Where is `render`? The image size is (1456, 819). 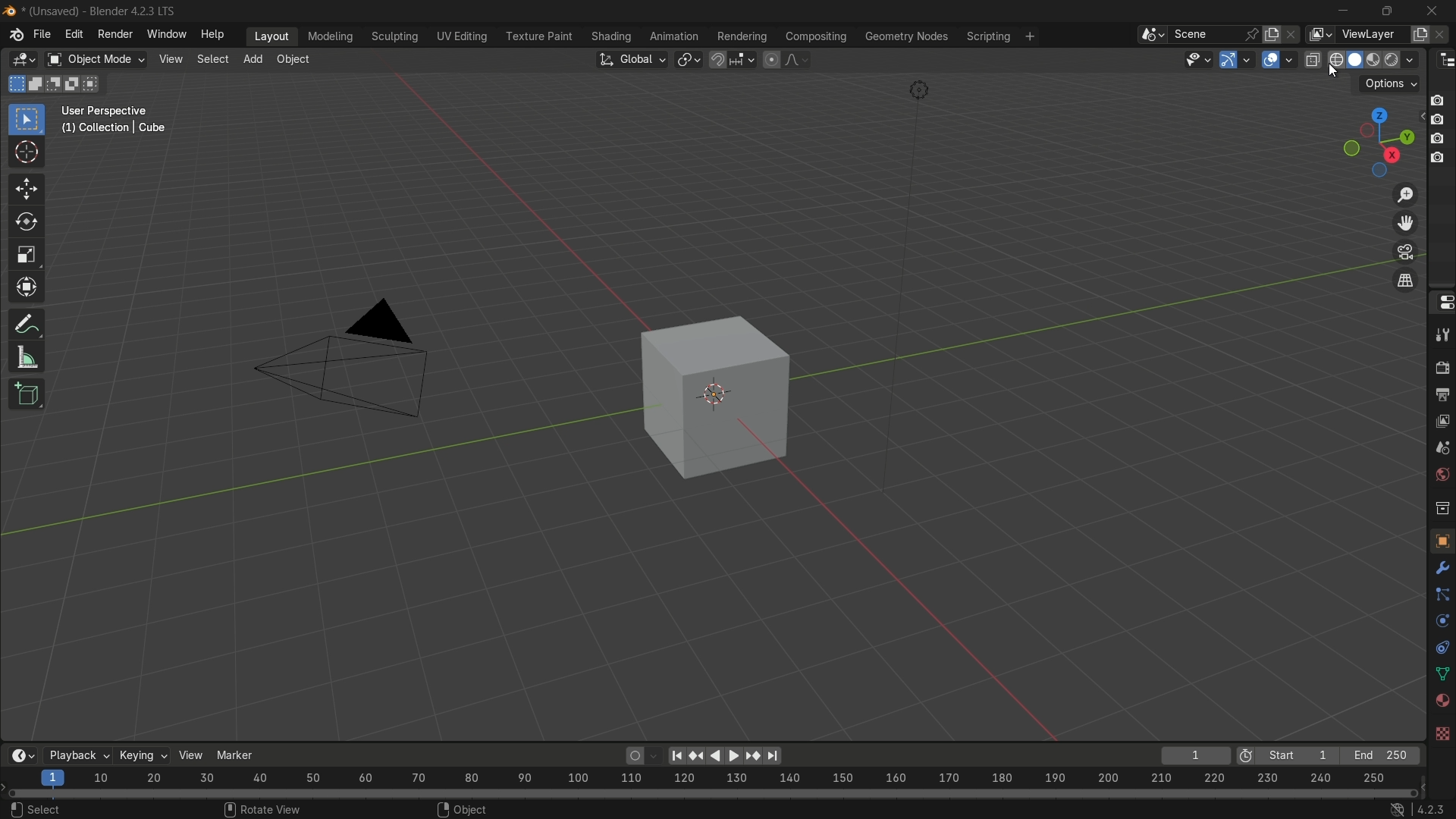
render is located at coordinates (1439, 363).